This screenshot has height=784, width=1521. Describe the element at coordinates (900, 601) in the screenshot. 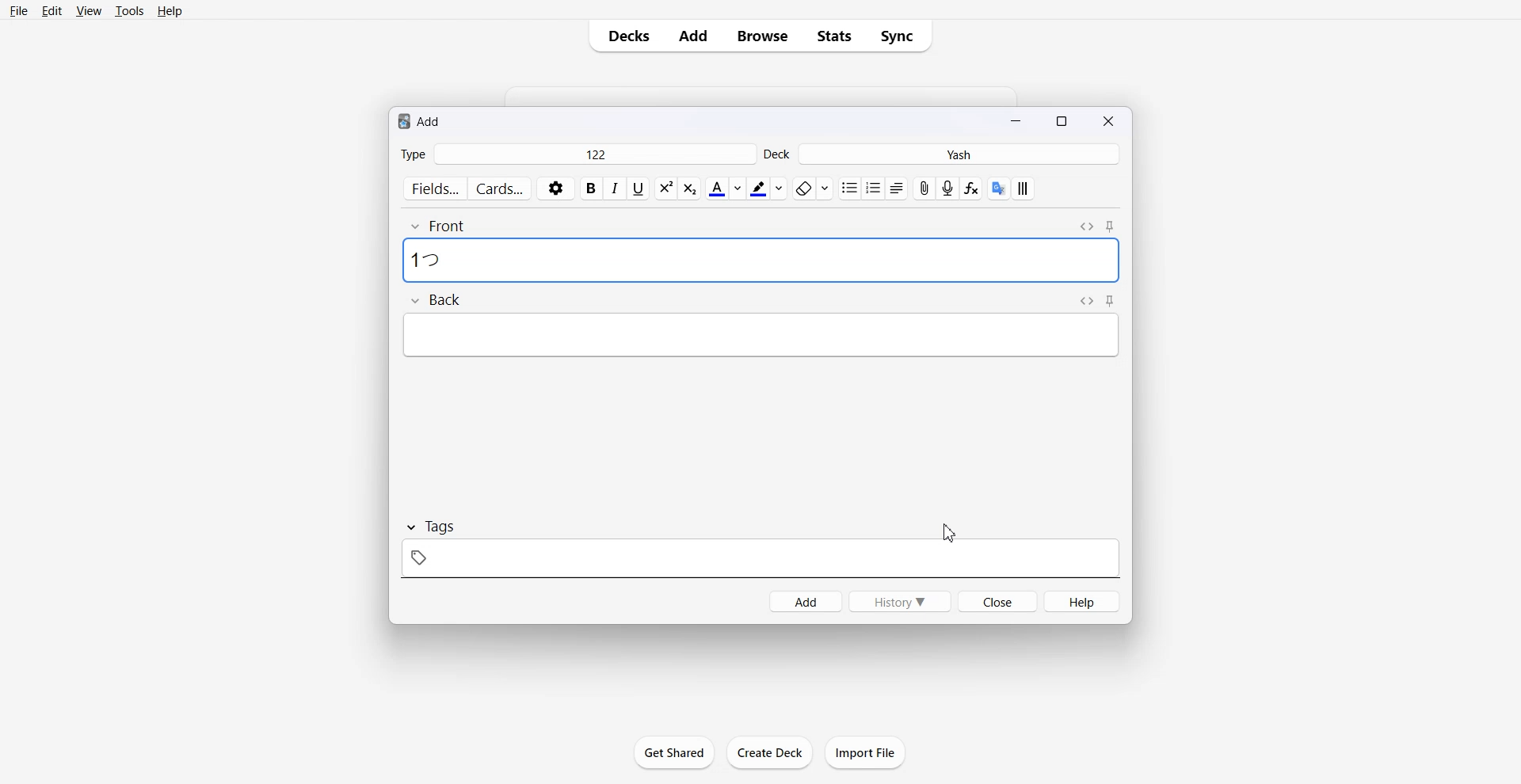

I see `History` at that location.